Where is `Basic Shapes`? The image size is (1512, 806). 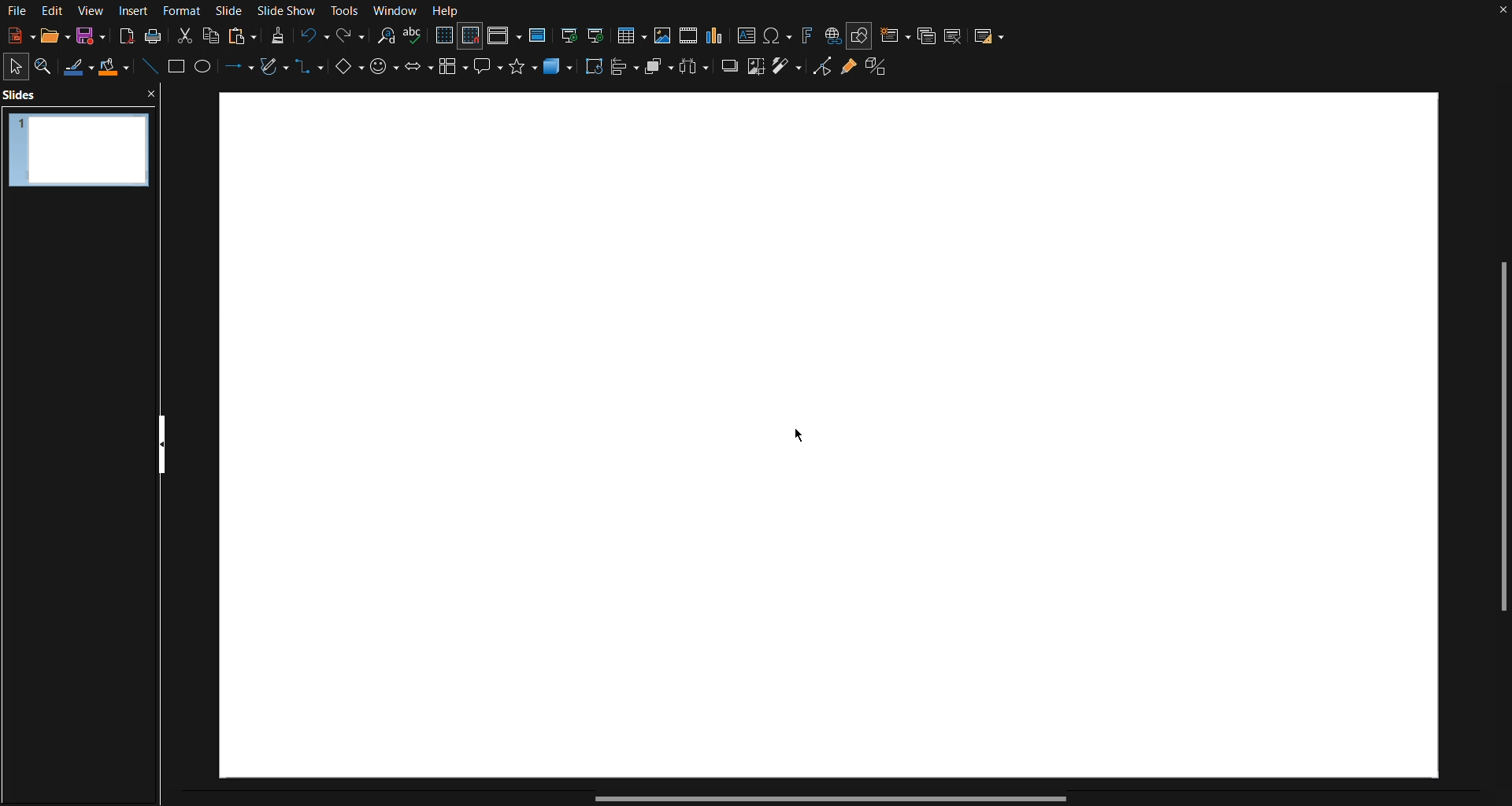 Basic Shapes is located at coordinates (346, 72).